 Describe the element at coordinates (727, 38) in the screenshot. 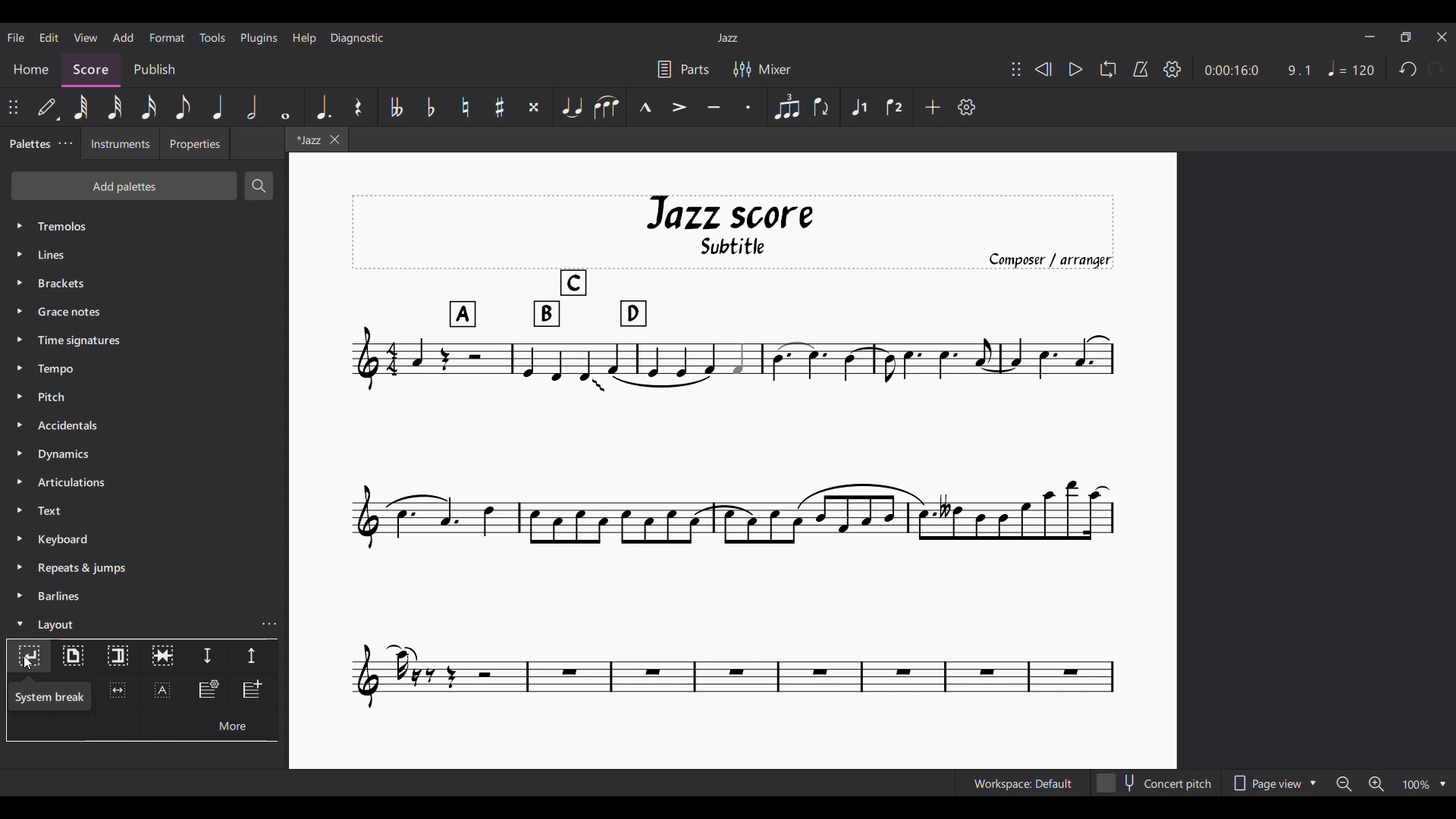

I see `Jazz` at that location.